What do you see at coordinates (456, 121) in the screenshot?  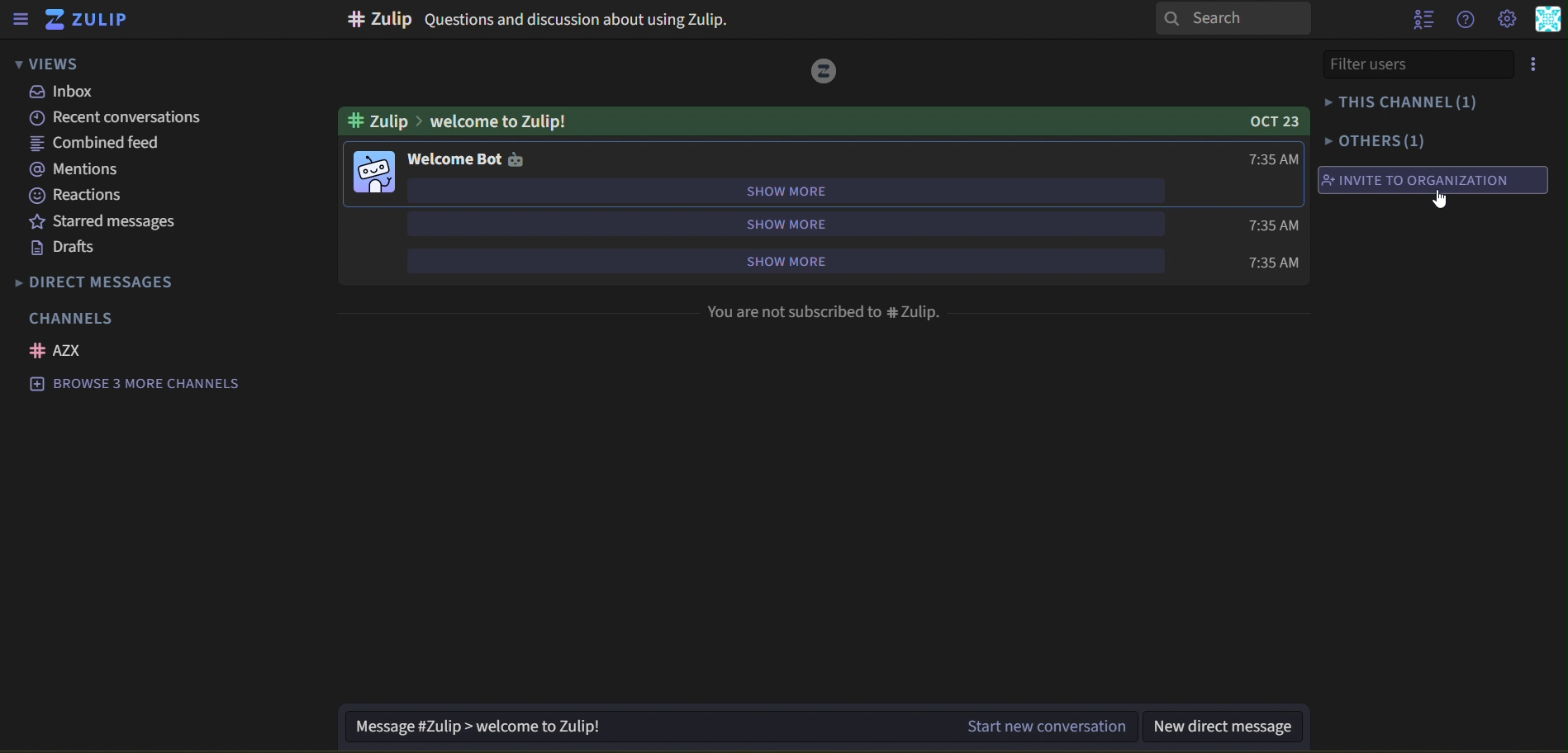 I see `welcome to Zulip!` at bounding box center [456, 121].